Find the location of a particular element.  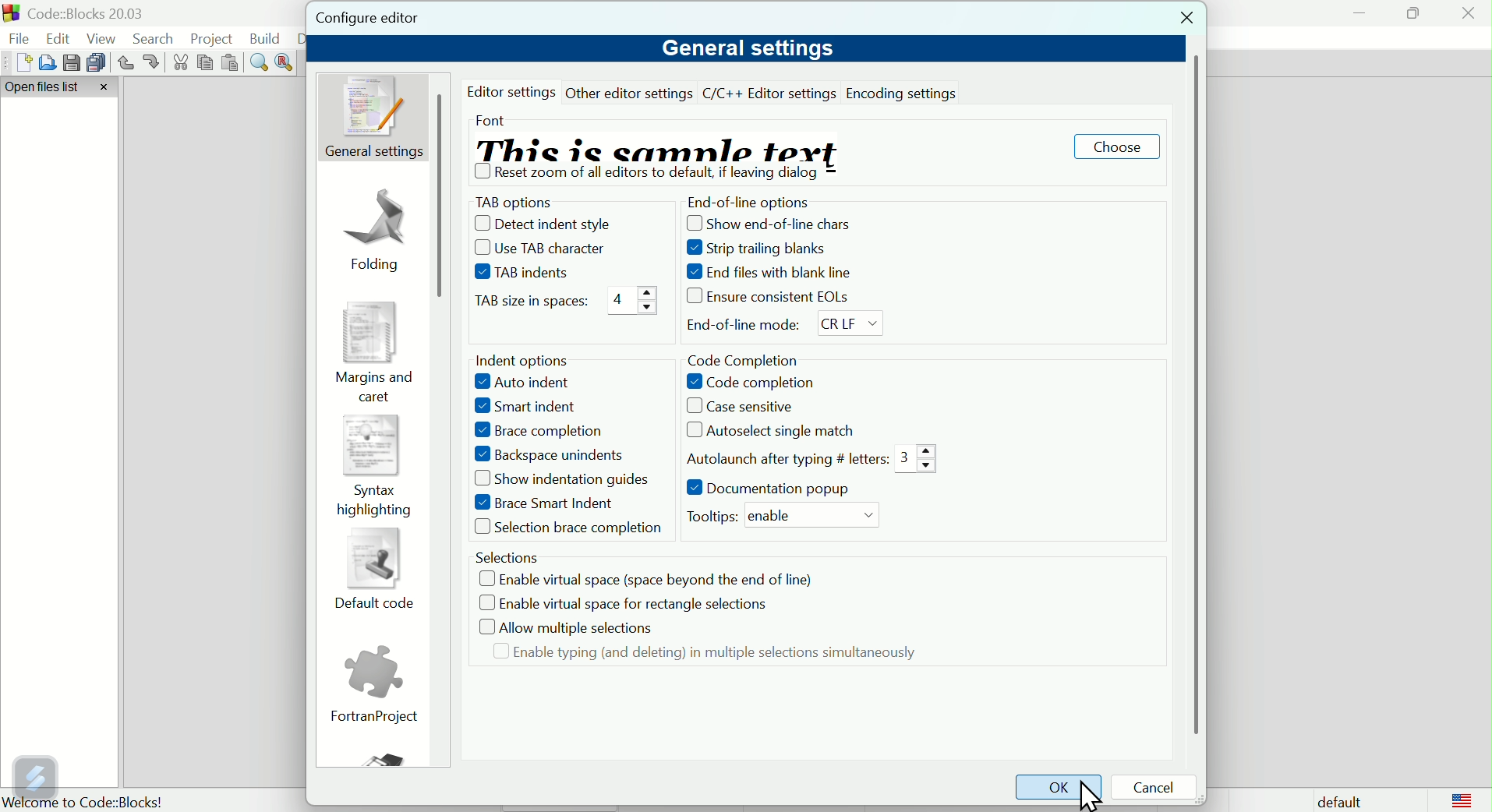

enable is located at coordinates (812, 515).